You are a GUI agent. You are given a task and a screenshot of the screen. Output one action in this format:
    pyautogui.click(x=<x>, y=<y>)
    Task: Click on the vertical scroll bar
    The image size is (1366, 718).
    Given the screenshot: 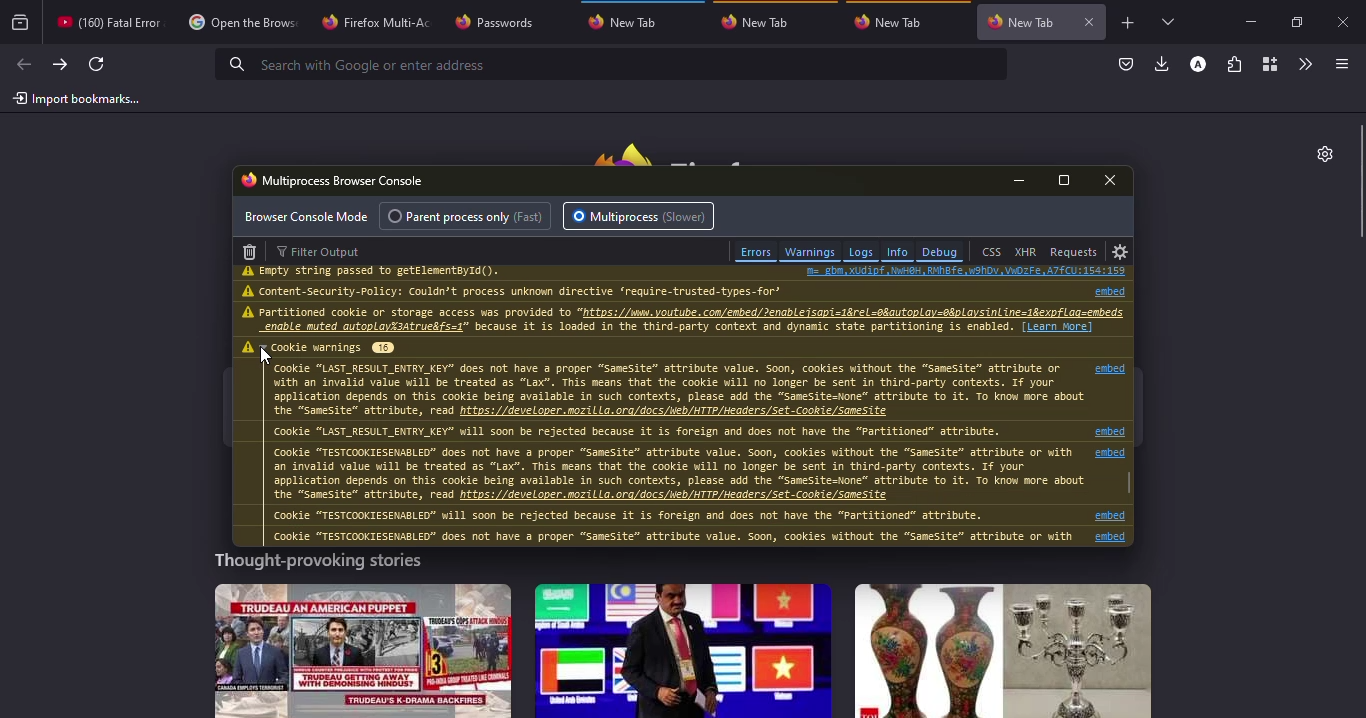 What is the action you would take?
    pyautogui.click(x=1357, y=182)
    